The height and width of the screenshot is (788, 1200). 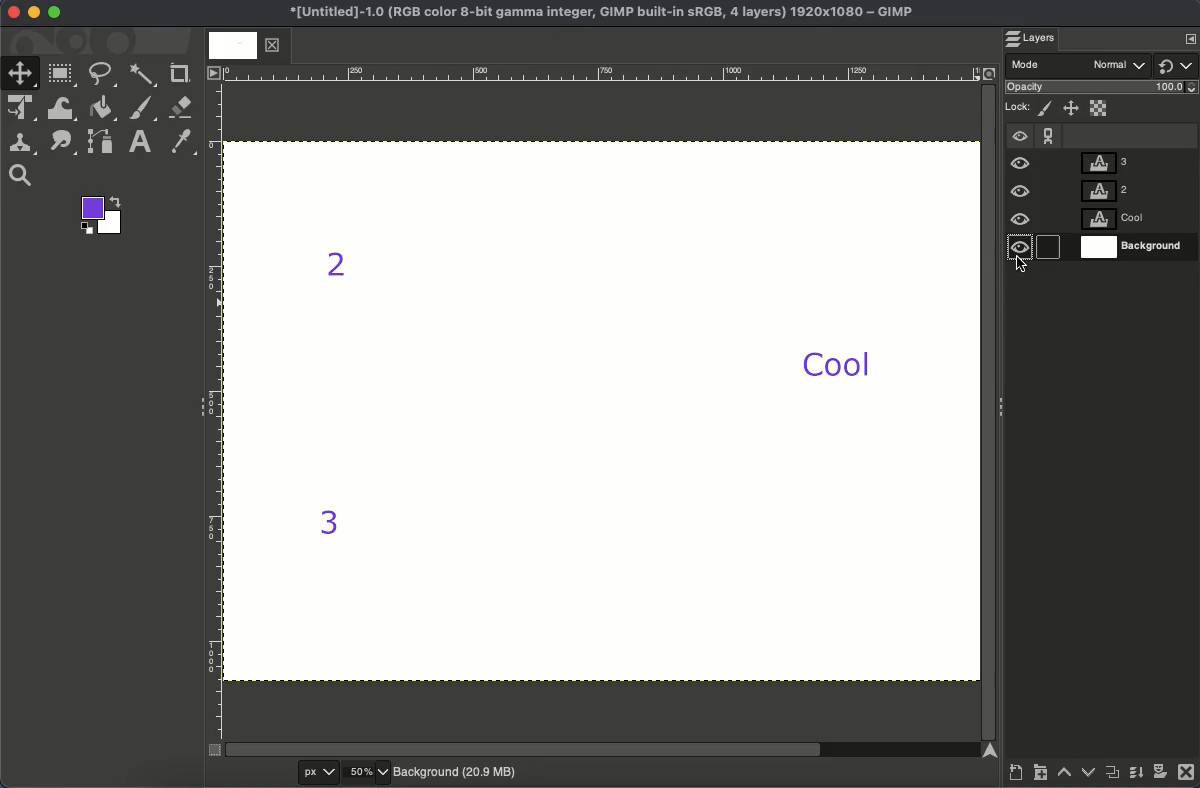 What do you see at coordinates (25, 143) in the screenshot?
I see `Clone` at bounding box center [25, 143].